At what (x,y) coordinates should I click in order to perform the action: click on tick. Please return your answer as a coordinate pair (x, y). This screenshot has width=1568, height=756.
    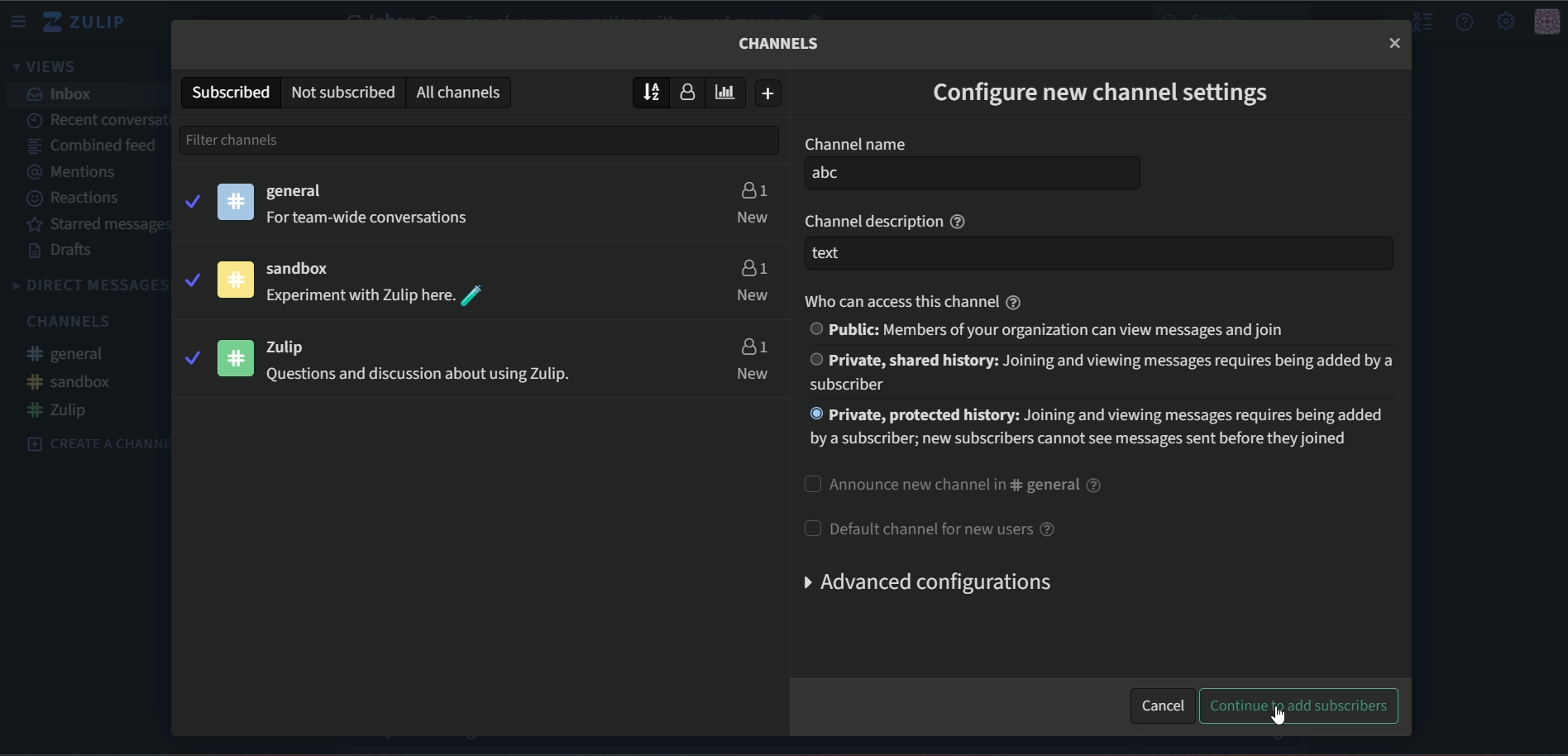
    Looking at the image, I should click on (190, 357).